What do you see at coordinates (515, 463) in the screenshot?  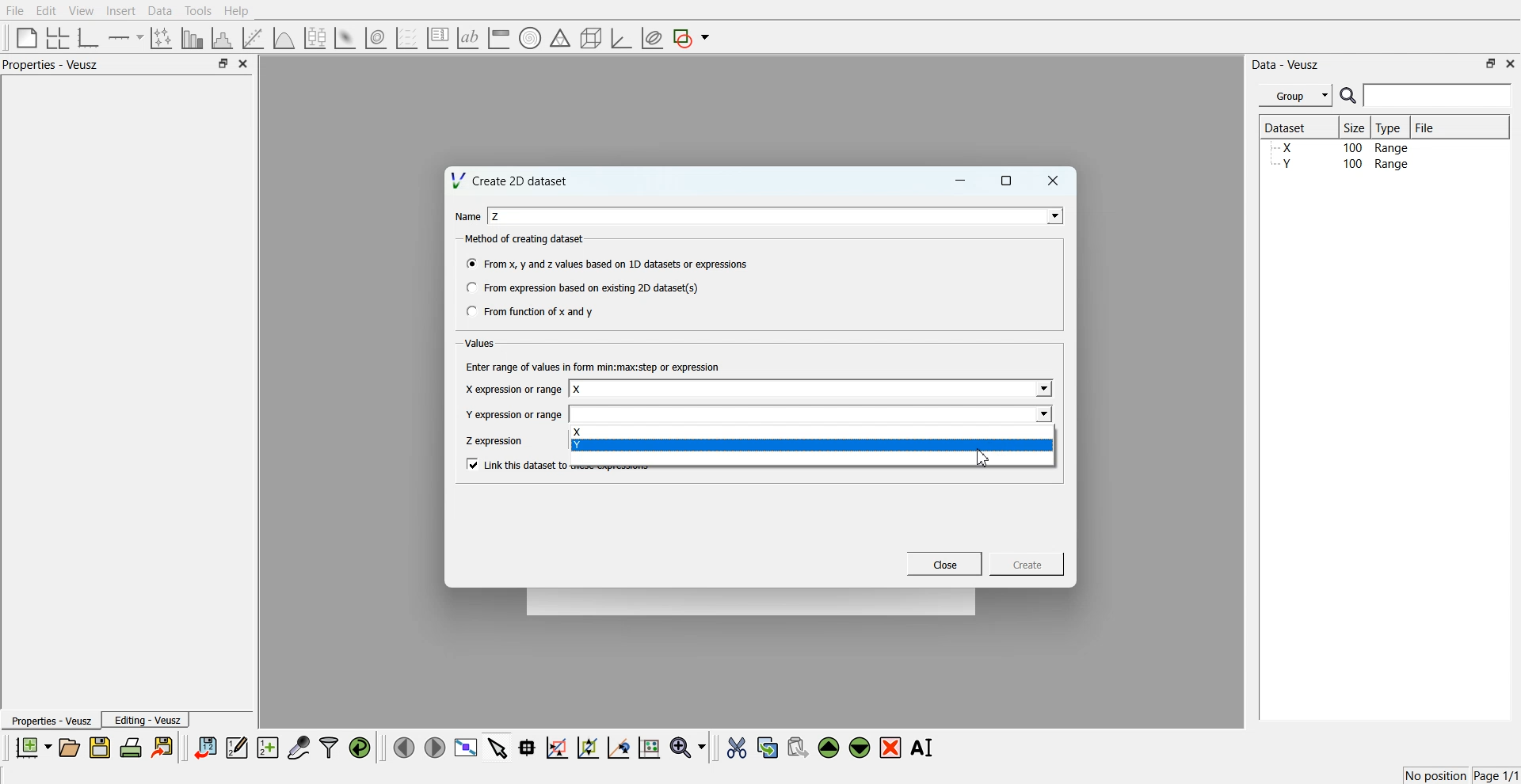 I see `il [Link this dataset to these expressions` at bounding box center [515, 463].